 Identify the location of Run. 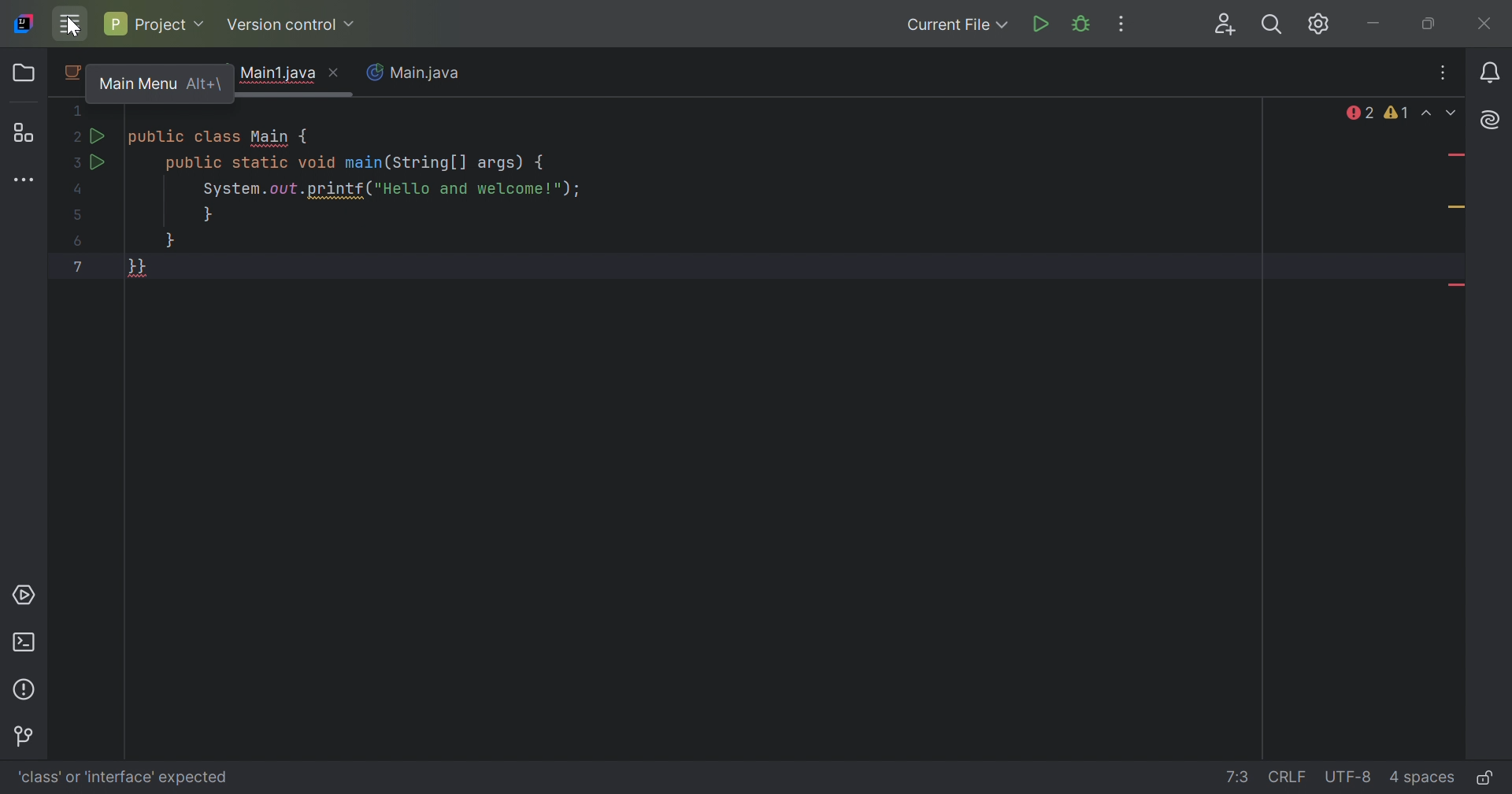
(102, 163).